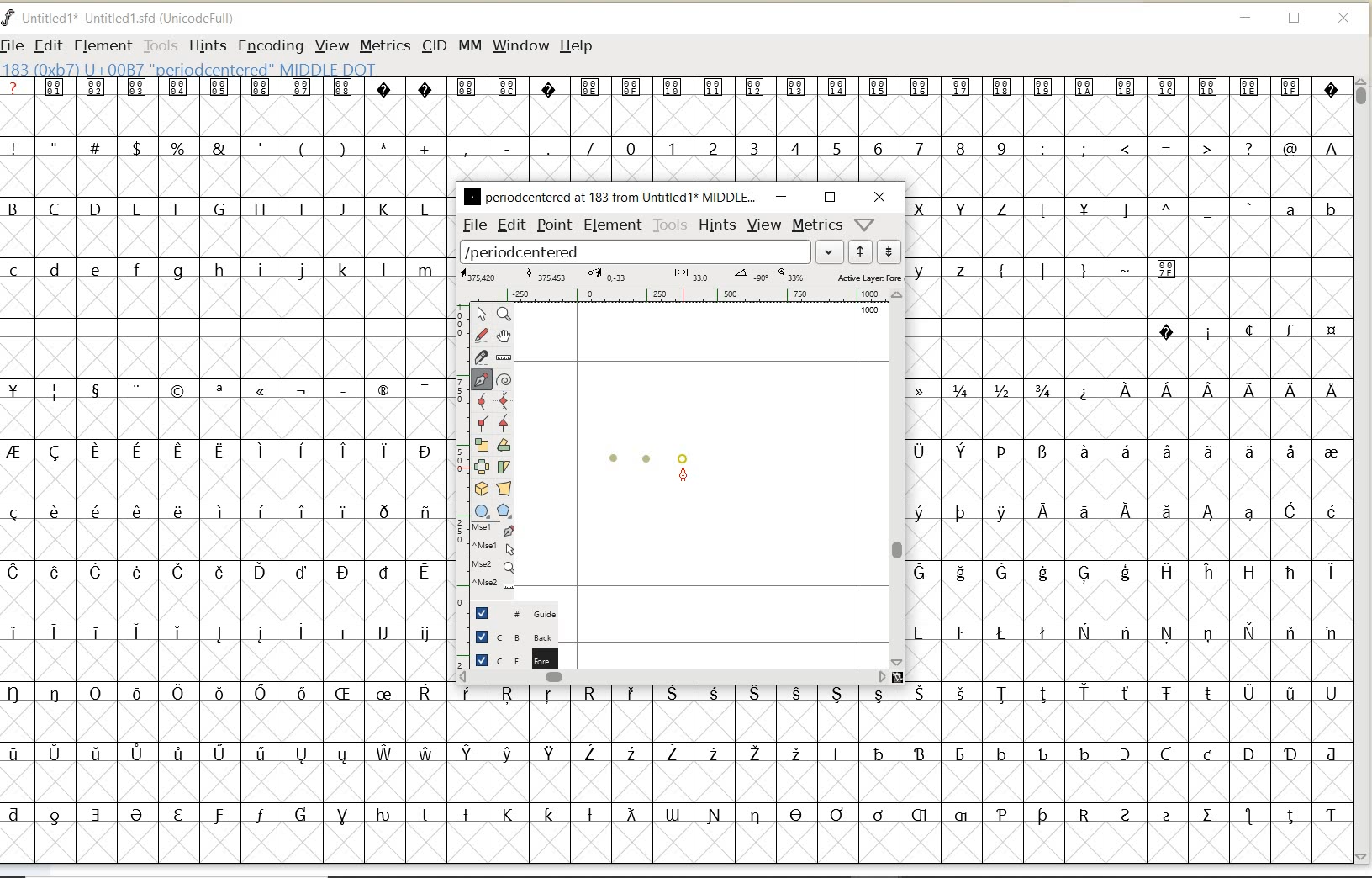 The image size is (1372, 878). Describe the element at coordinates (683, 297) in the screenshot. I see `ruler` at that location.